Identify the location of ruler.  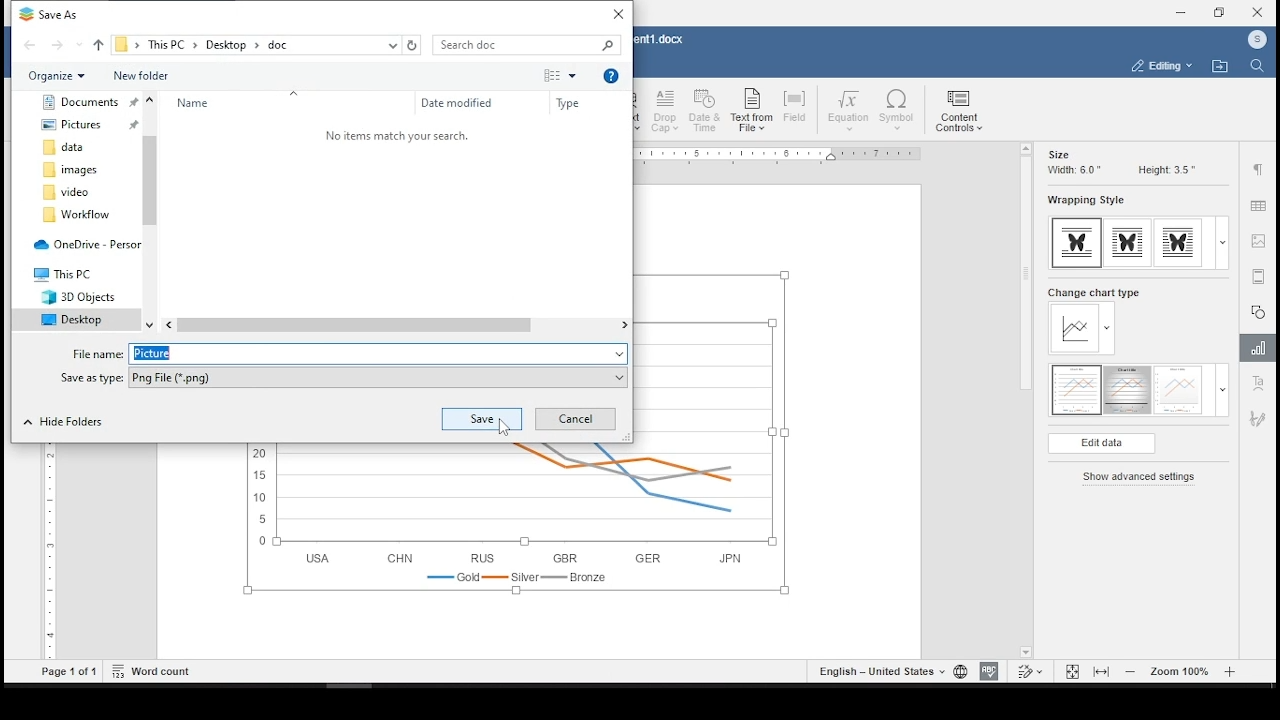
(775, 155).